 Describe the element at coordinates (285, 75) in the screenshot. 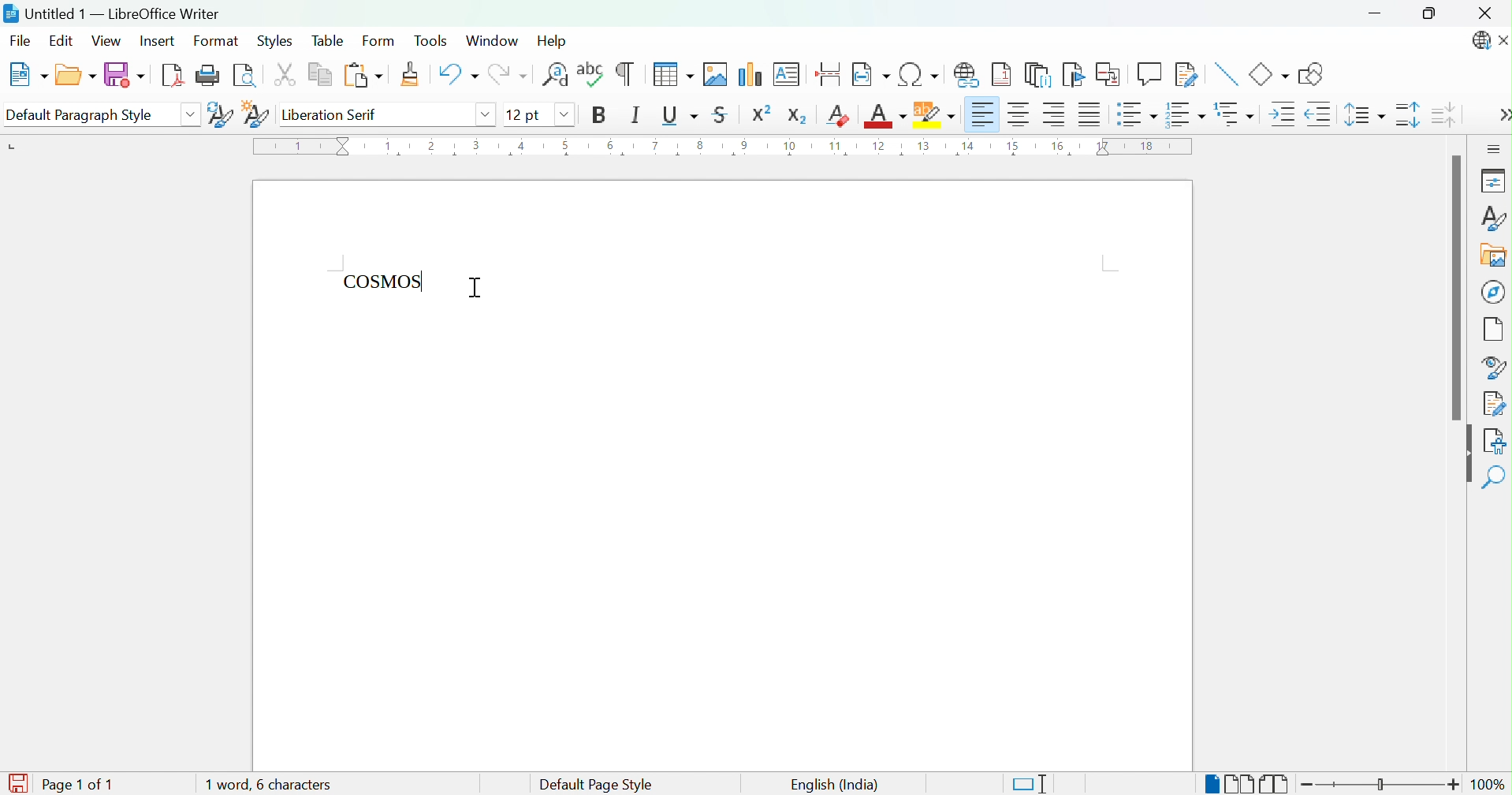

I see `Cut` at that location.